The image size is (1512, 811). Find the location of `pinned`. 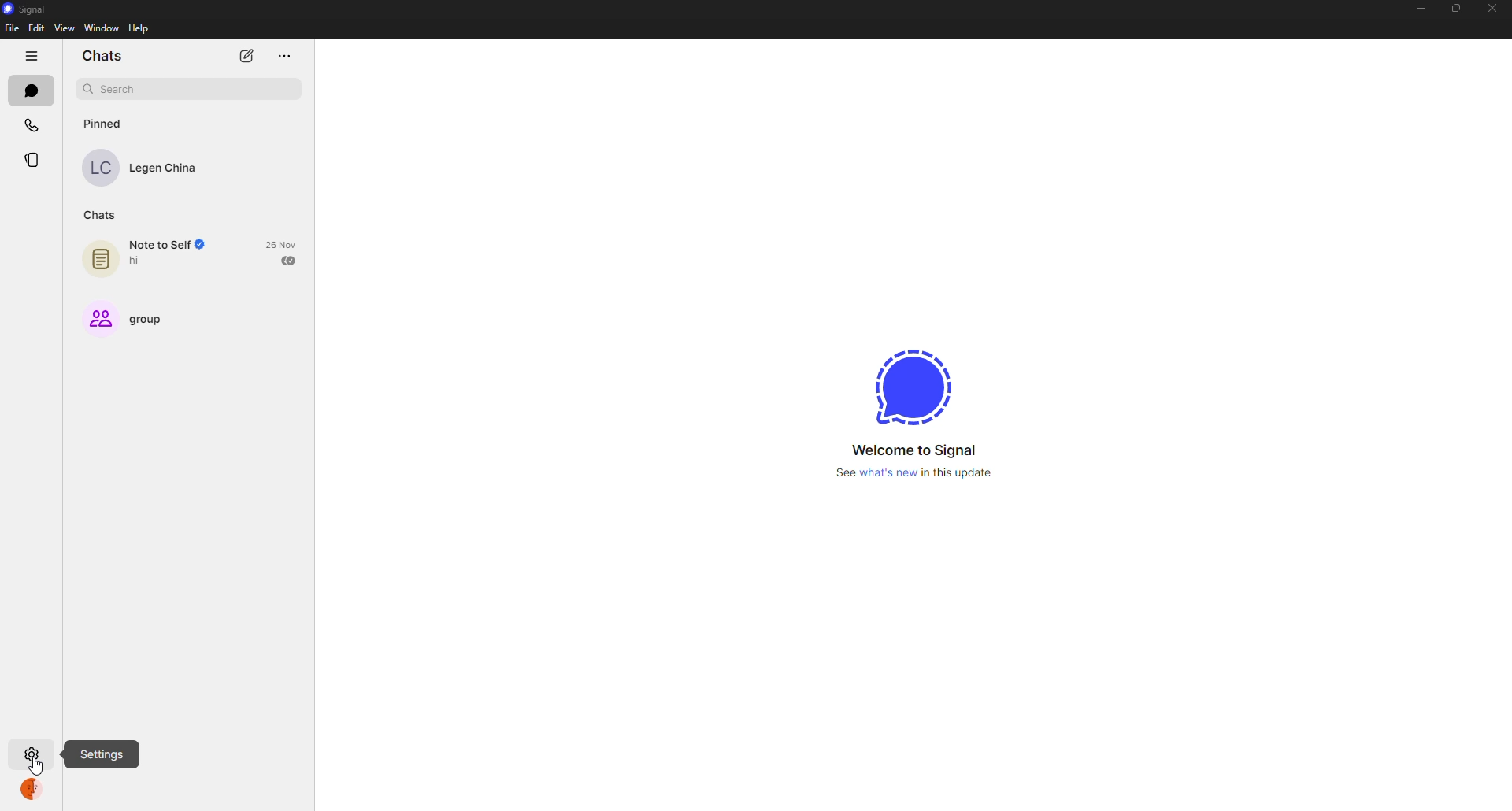

pinned is located at coordinates (104, 124).